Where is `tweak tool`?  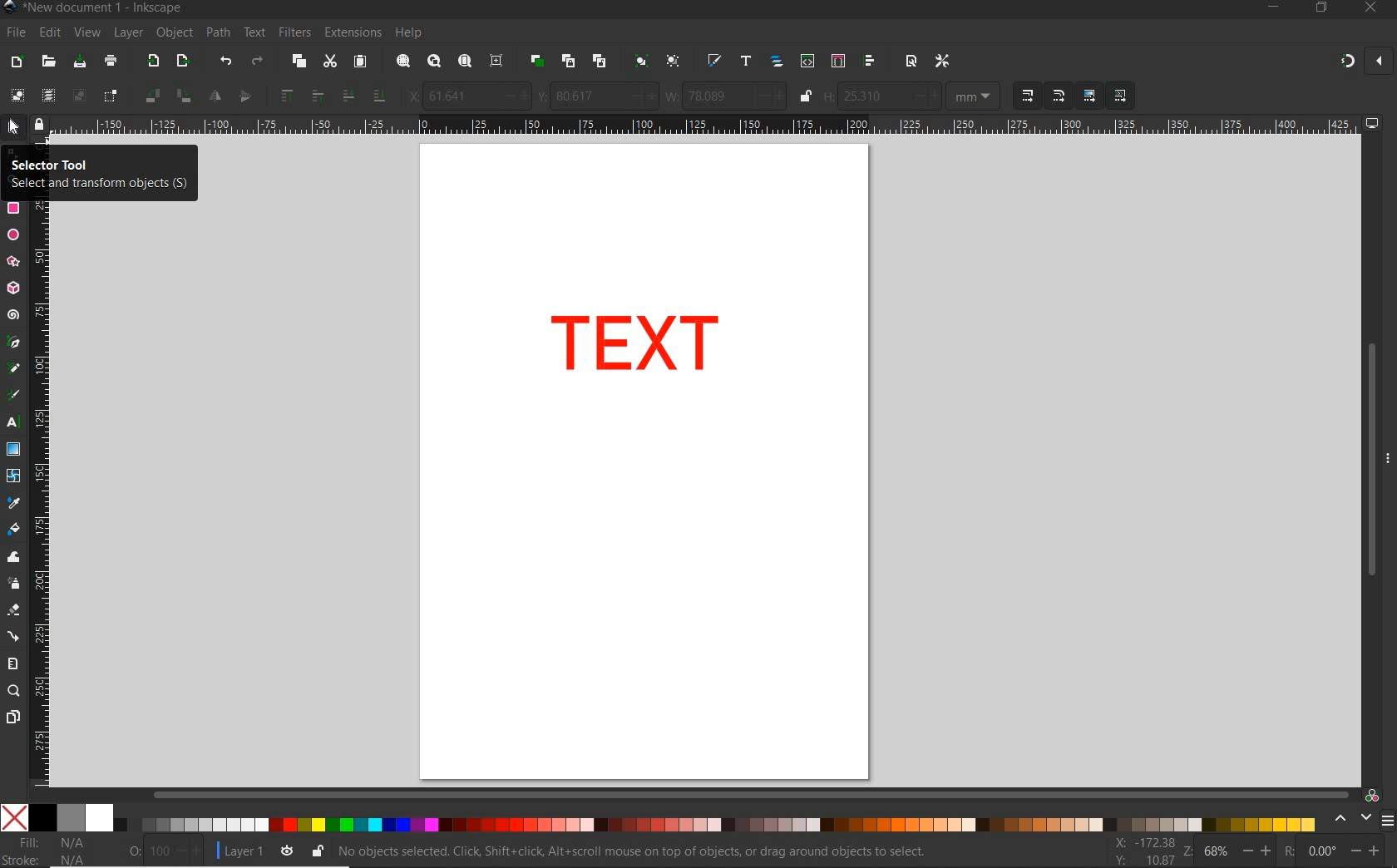 tweak tool is located at coordinates (13, 558).